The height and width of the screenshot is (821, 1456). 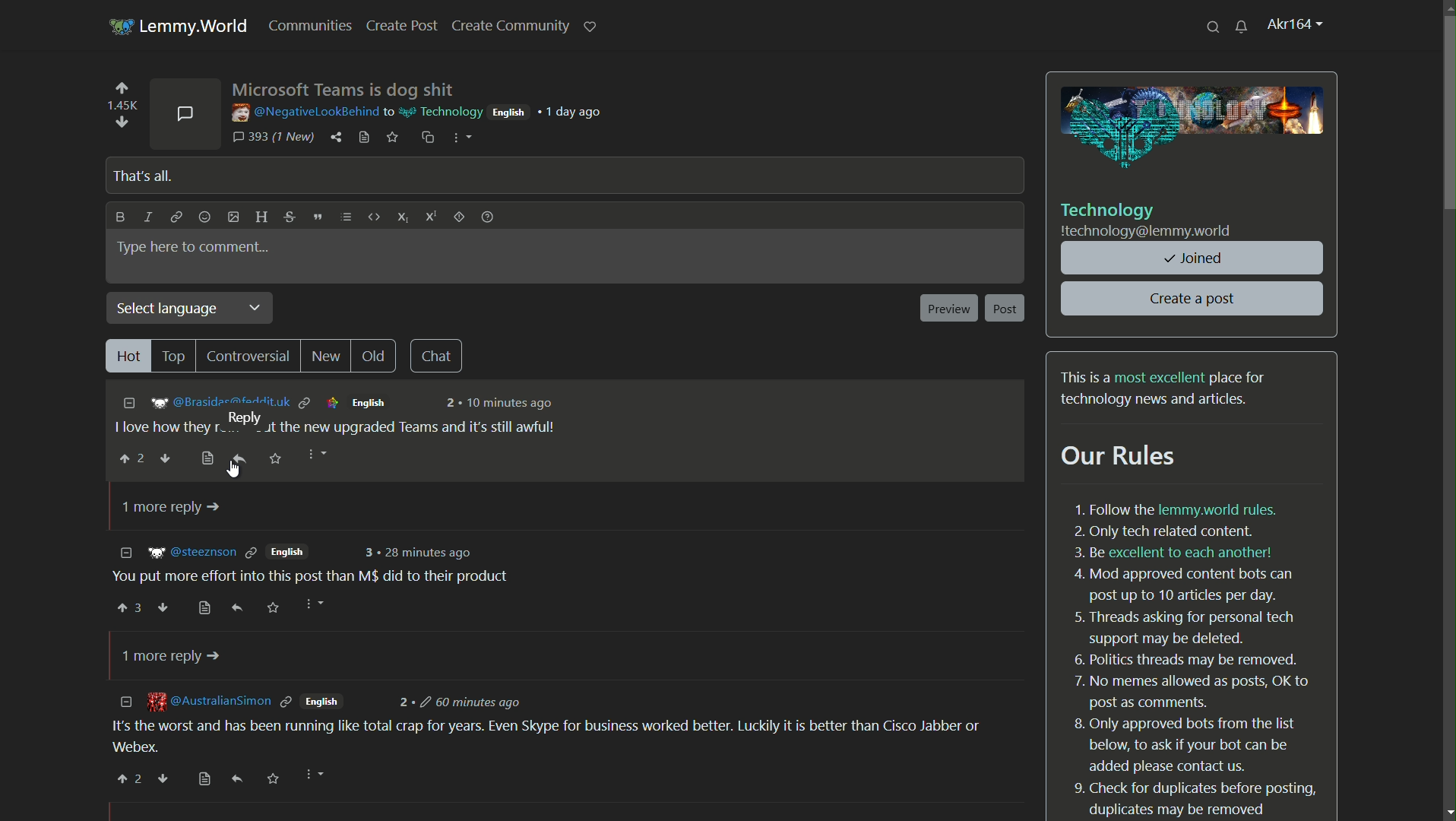 I want to click on 393 comments, so click(x=273, y=138).